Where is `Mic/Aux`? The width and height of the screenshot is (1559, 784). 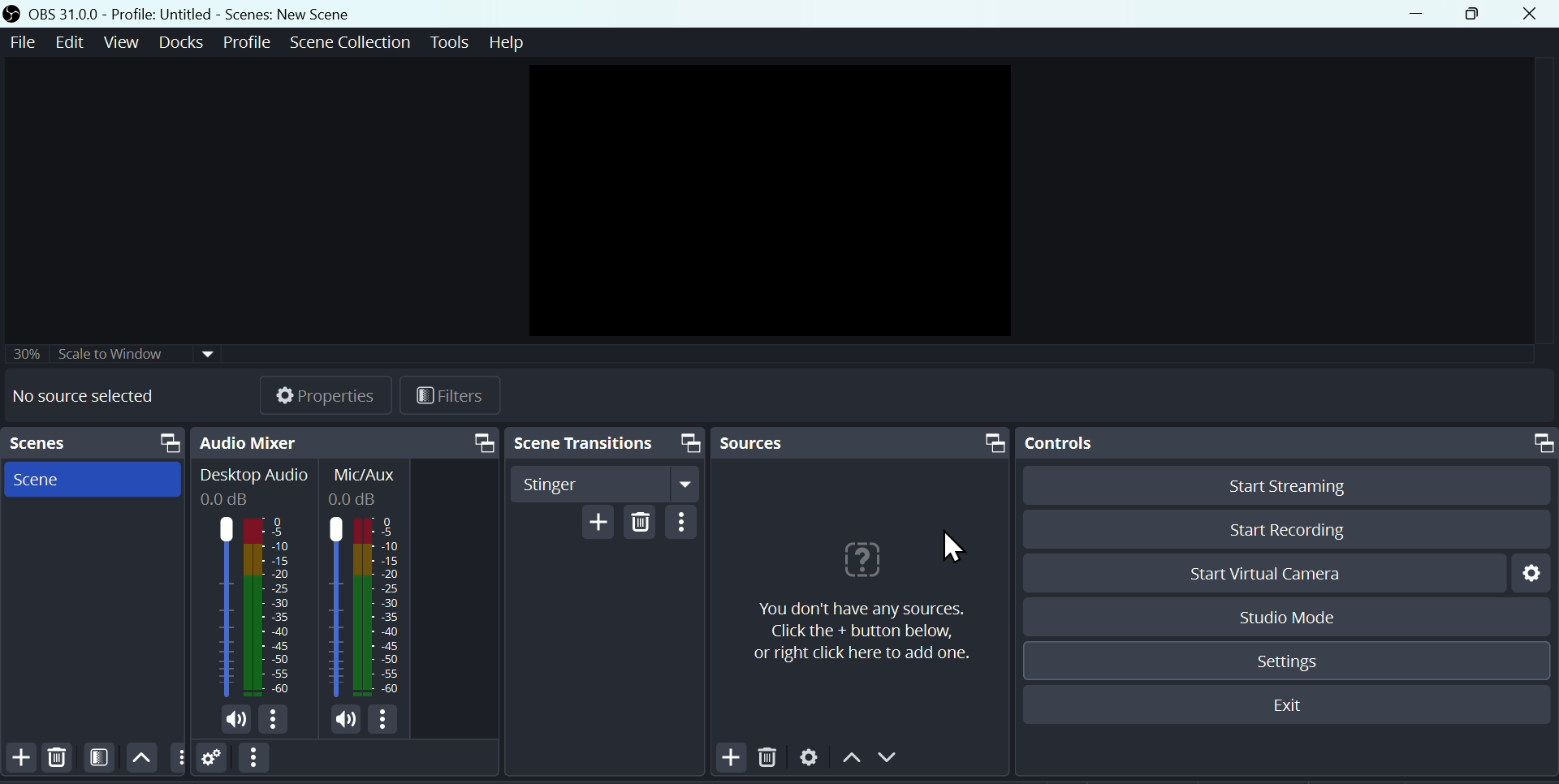
Mic/Aux is located at coordinates (367, 581).